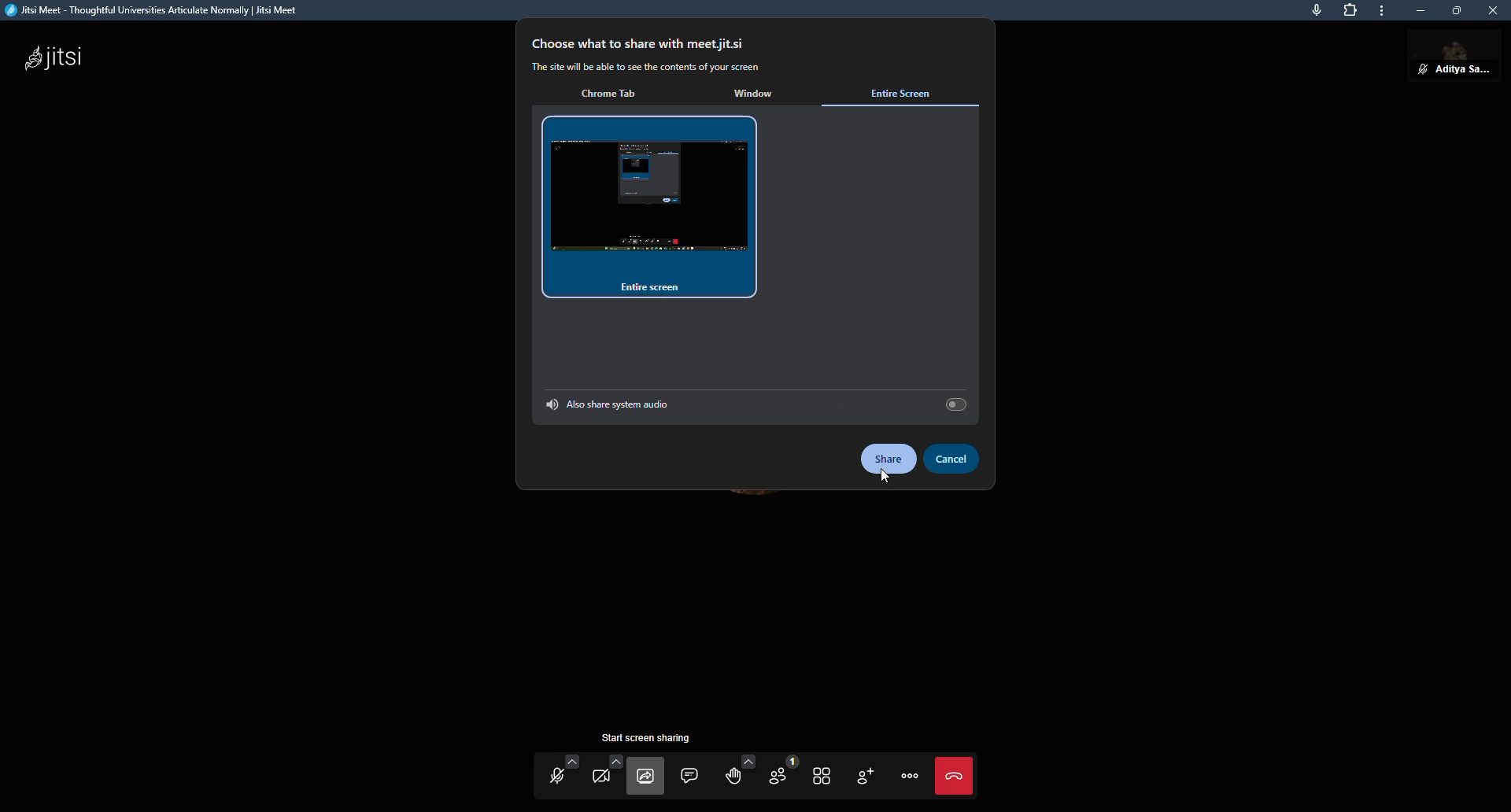 This screenshot has width=1511, height=812. Describe the element at coordinates (889, 480) in the screenshot. I see `cursor` at that location.